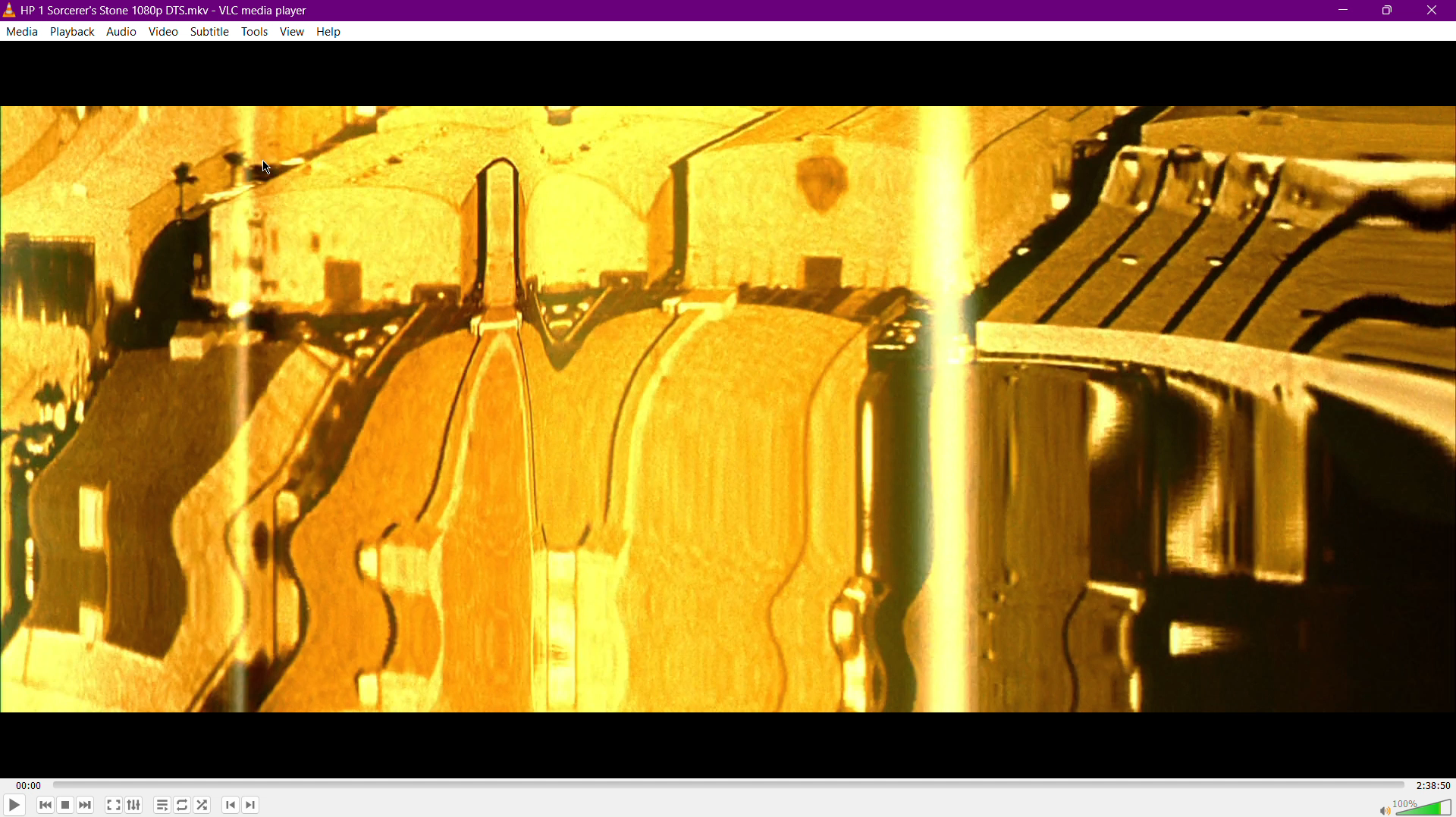 Image resolution: width=1456 pixels, height=817 pixels. What do you see at coordinates (267, 169) in the screenshot?
I see `Cursor Position` at bounding box center [267, 169].